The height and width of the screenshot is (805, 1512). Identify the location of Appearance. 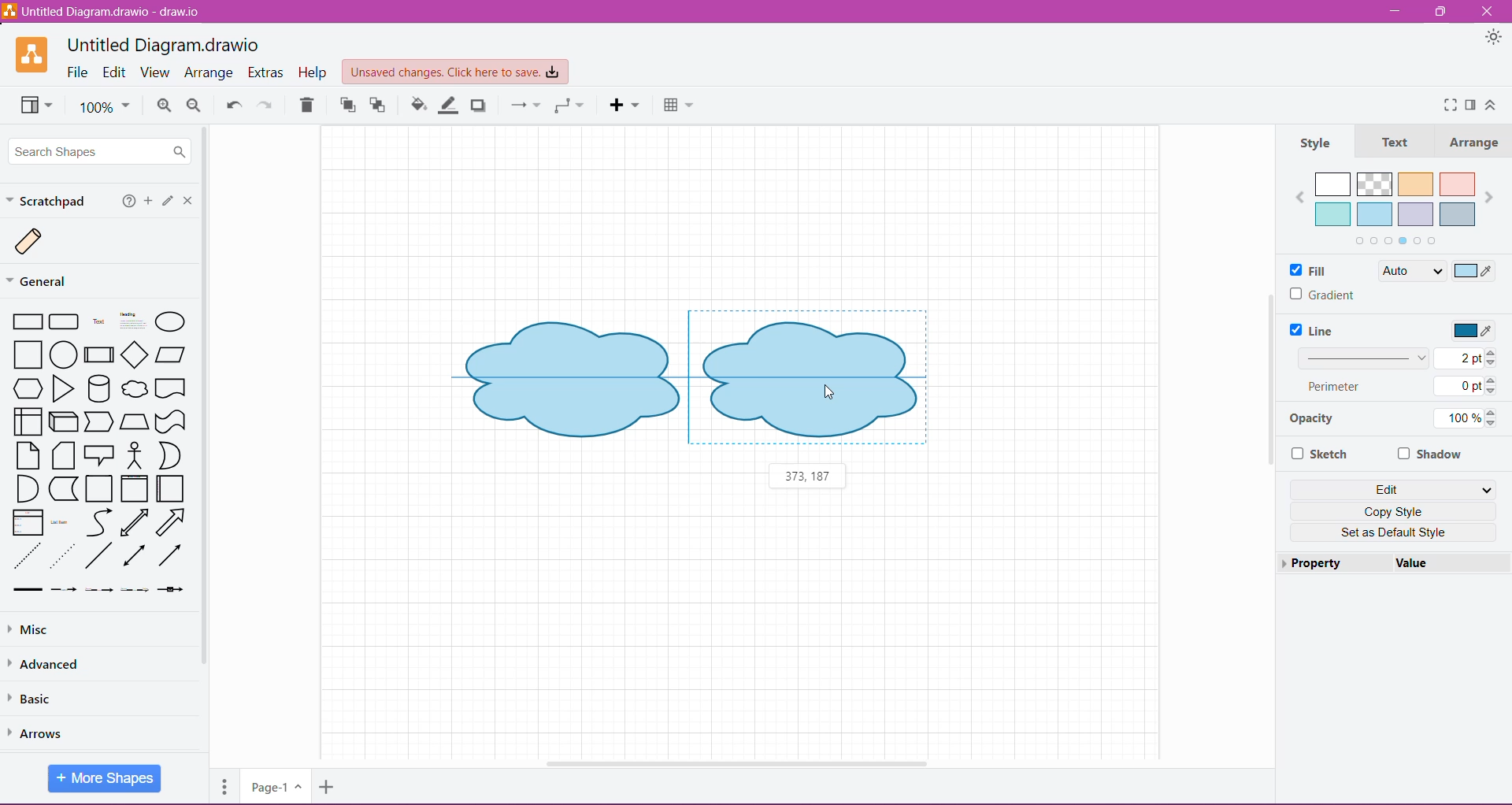
(1493, 39).